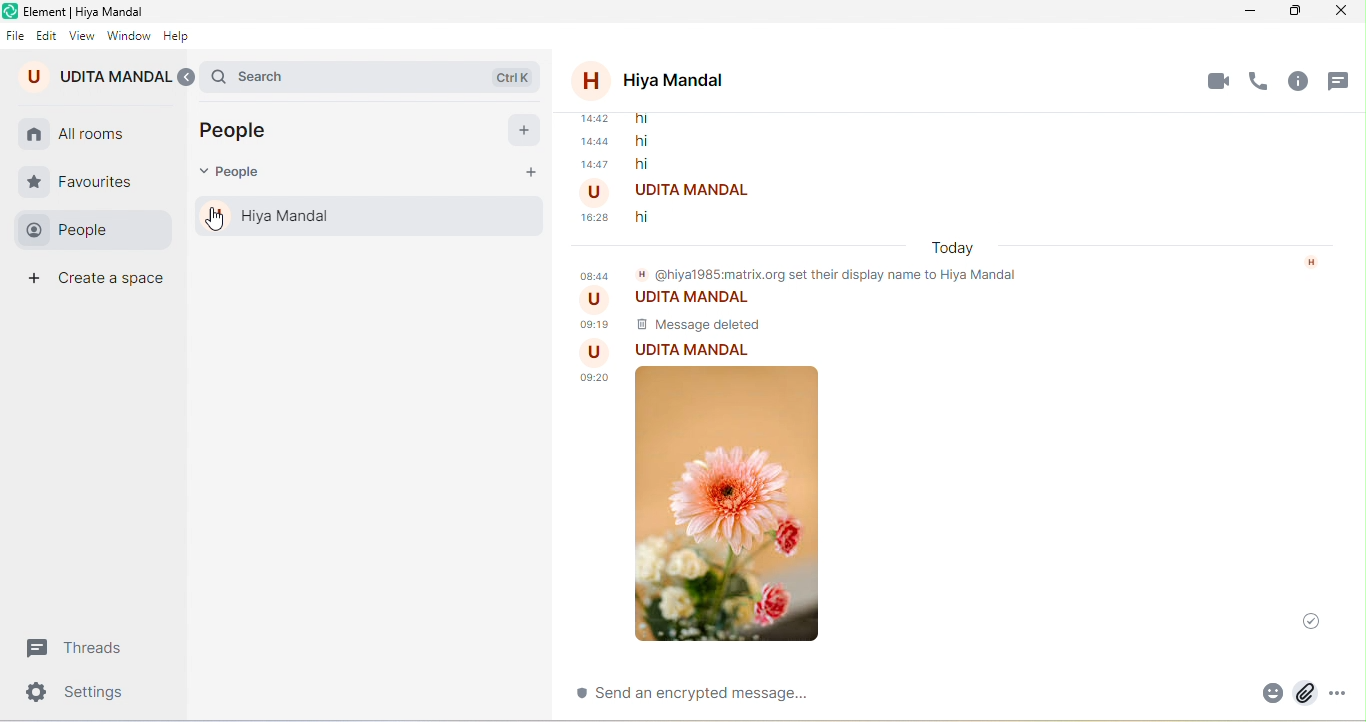 This screenshot has height=722, width=1366. I want to click on time, so click(596, 380).